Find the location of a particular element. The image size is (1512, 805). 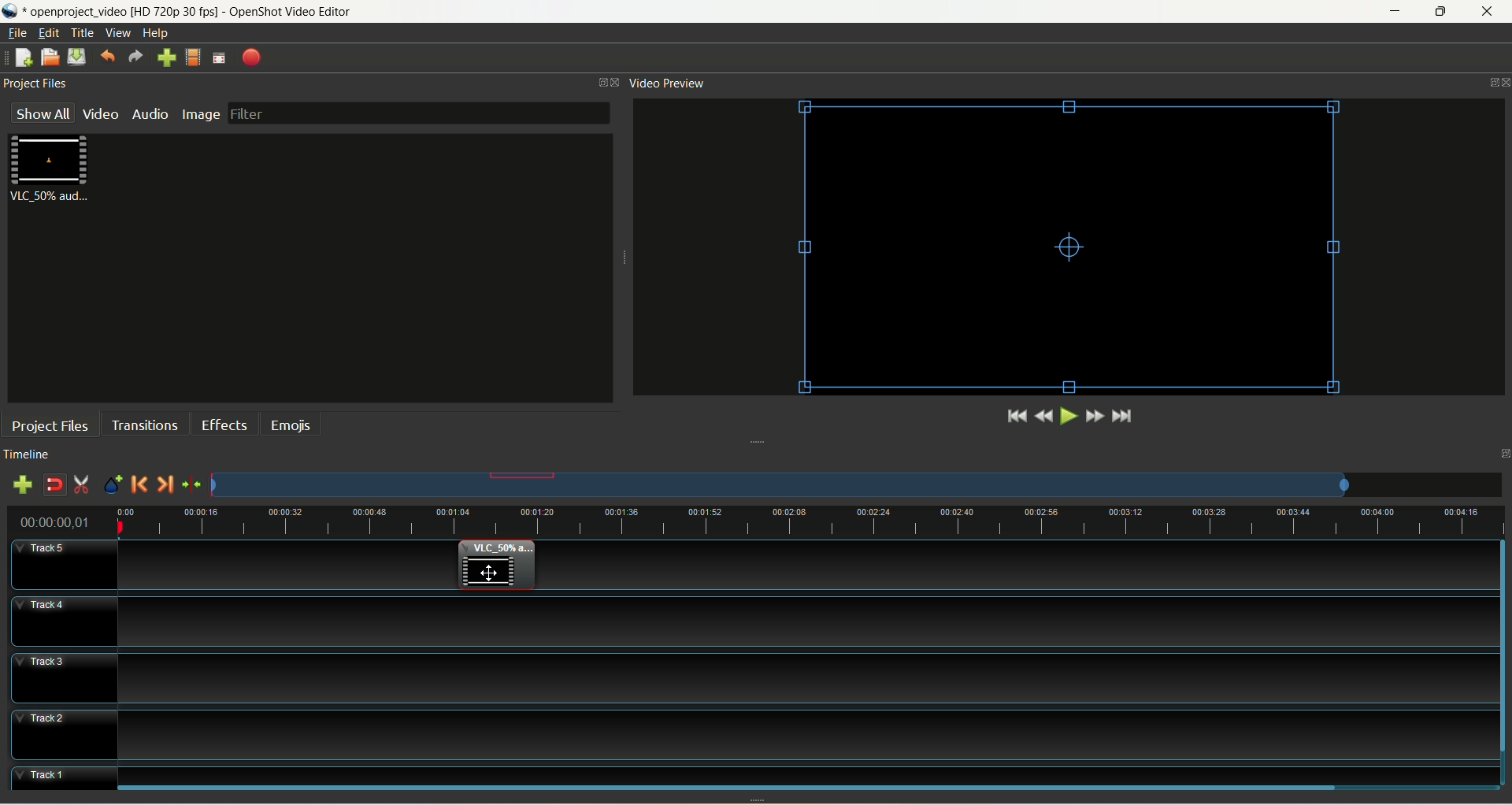

project files is located at coordinates (40, 83).